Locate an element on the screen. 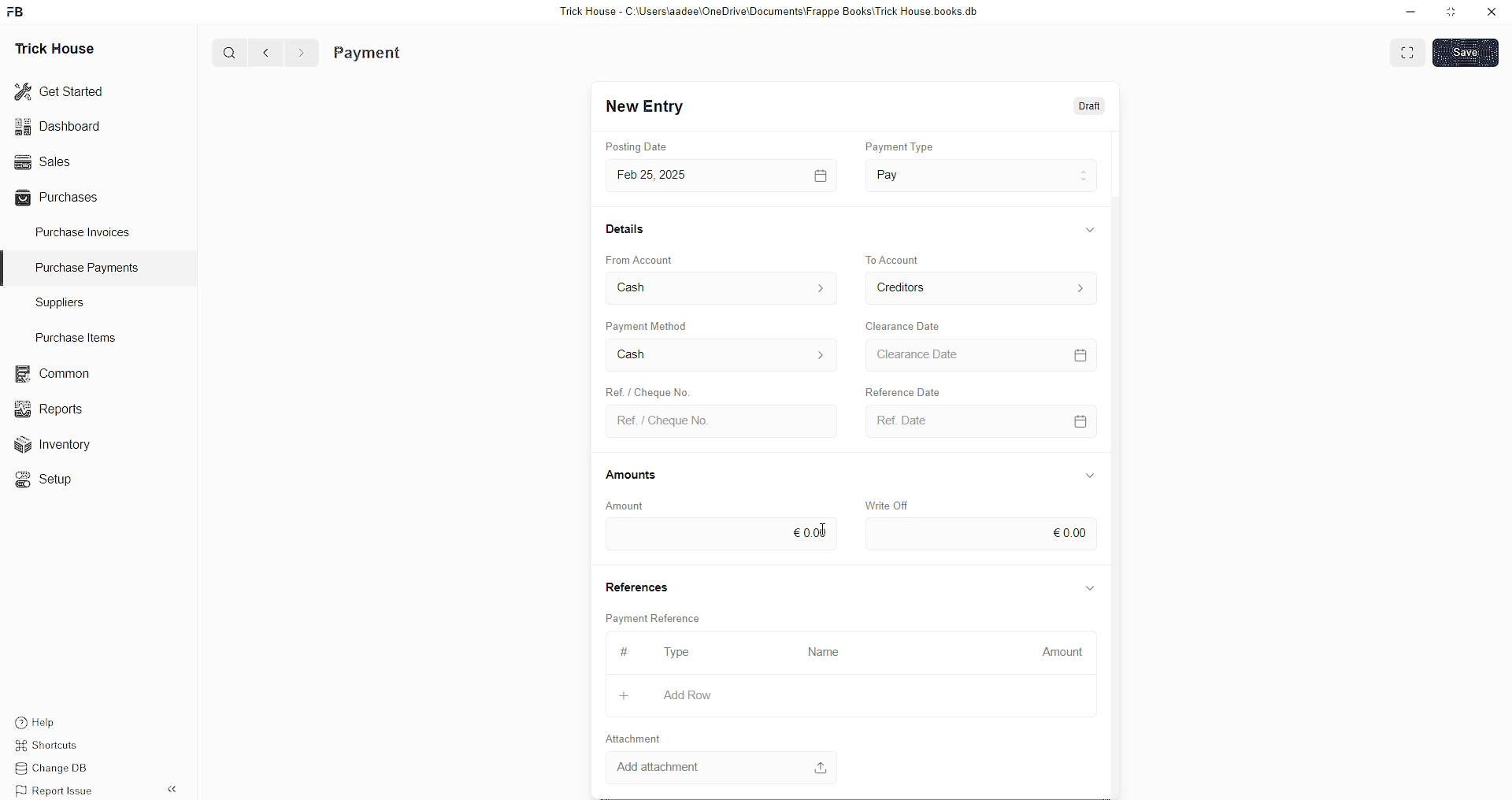  References is located at coordinates (640, 585).